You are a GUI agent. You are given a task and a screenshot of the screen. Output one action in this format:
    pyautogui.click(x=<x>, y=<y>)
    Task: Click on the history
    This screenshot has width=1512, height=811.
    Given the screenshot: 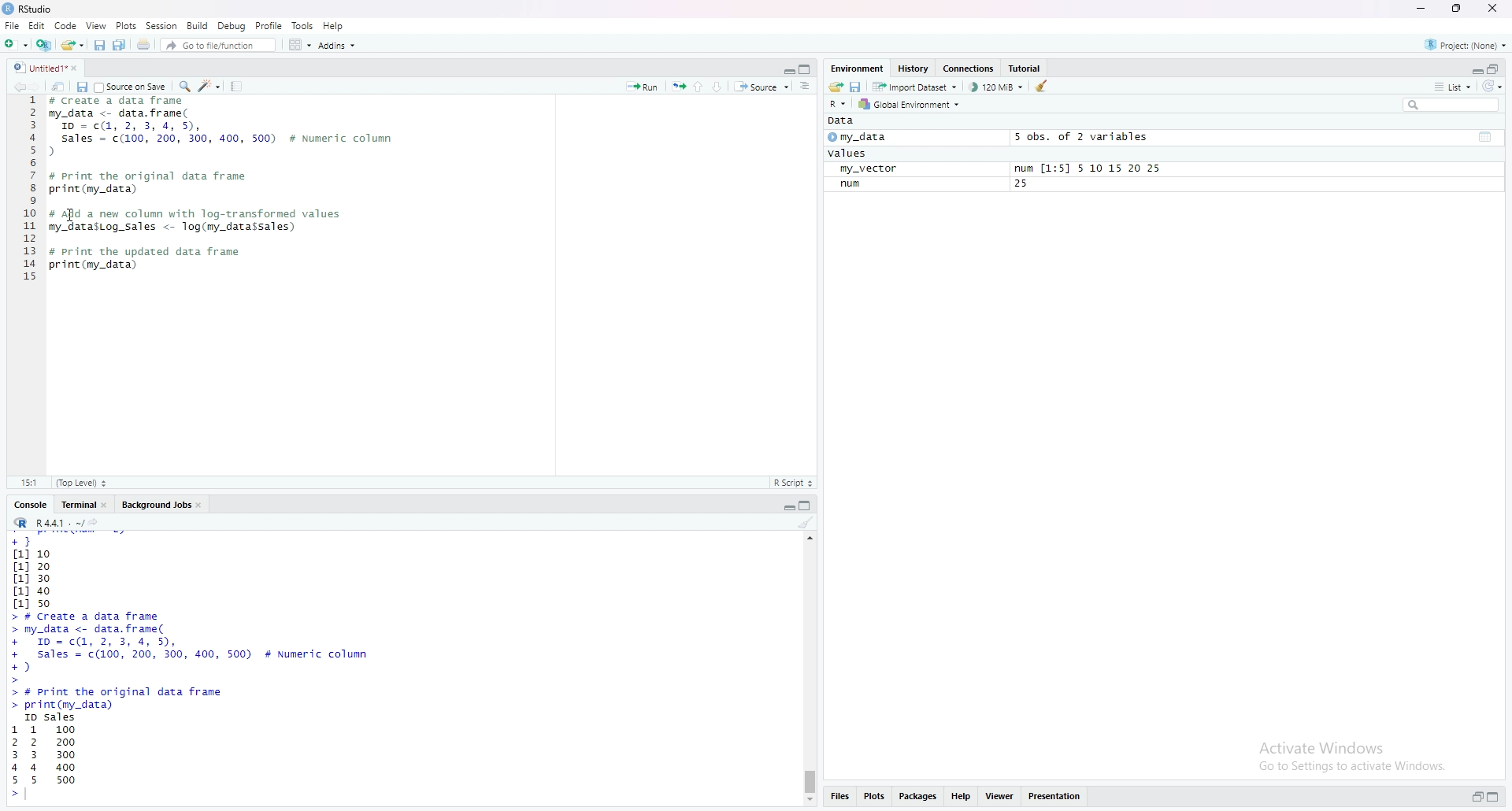 What is the action you would take?
    pyautogui.click(x=913, y=69)
    